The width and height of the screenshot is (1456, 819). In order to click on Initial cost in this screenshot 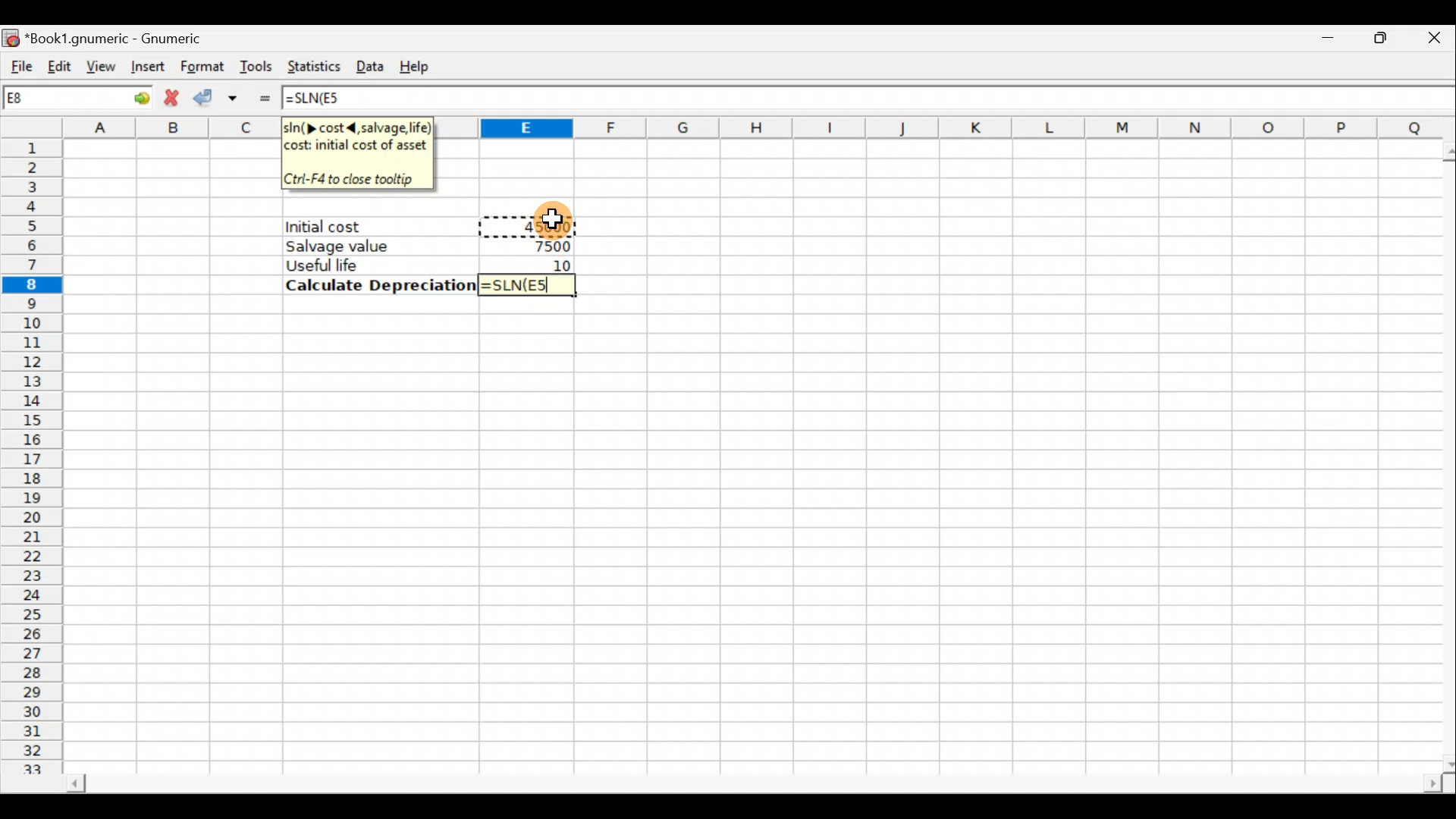, I will do `click(382, 227)`.